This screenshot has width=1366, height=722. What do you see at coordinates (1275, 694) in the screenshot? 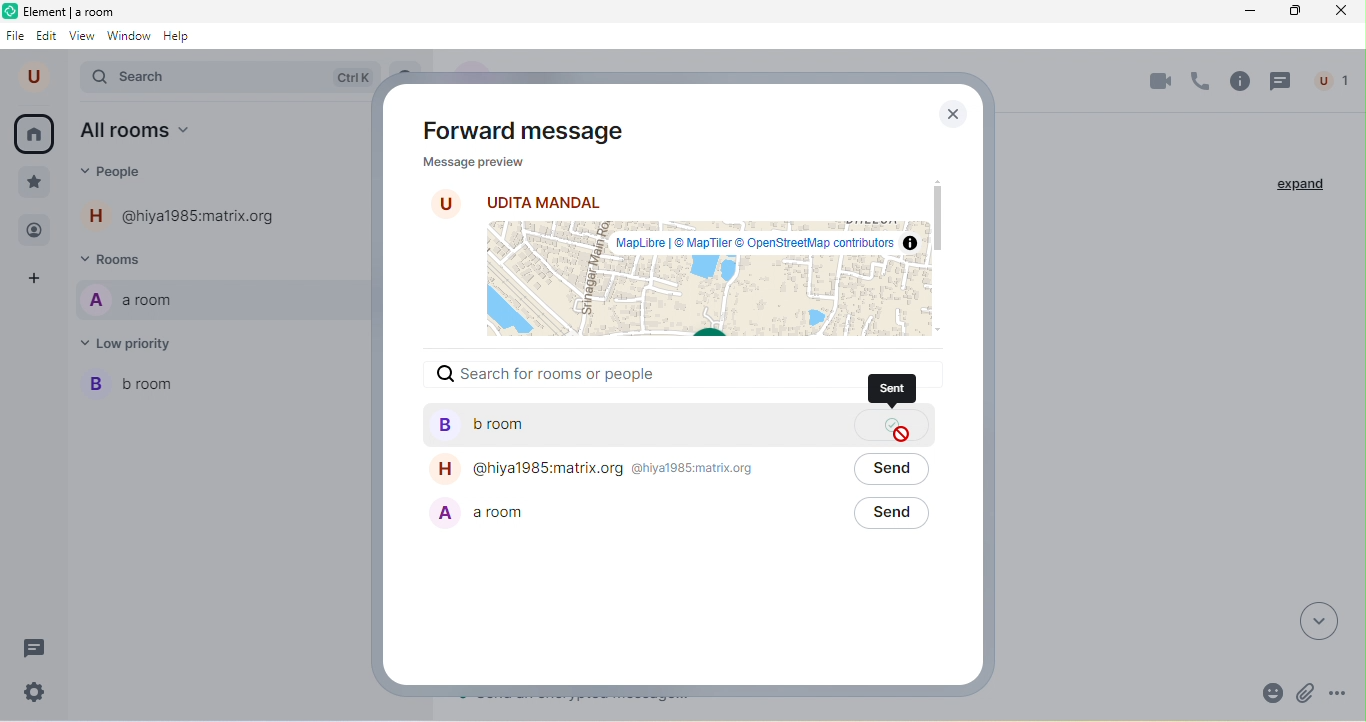
I see `emoji` at bounding box center [1275, 694].